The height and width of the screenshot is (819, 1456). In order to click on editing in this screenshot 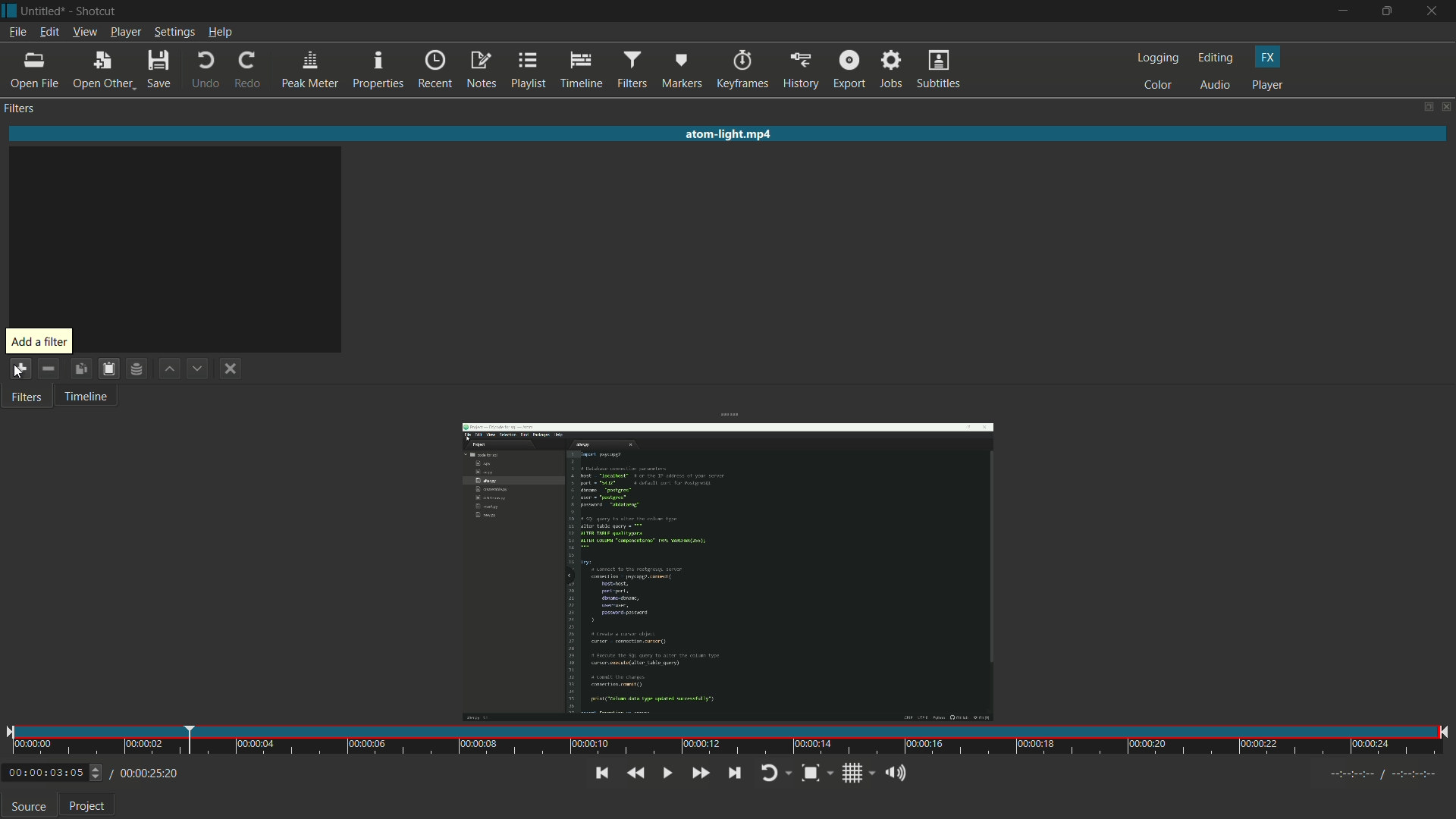, I will do `click(1216, 58)`.